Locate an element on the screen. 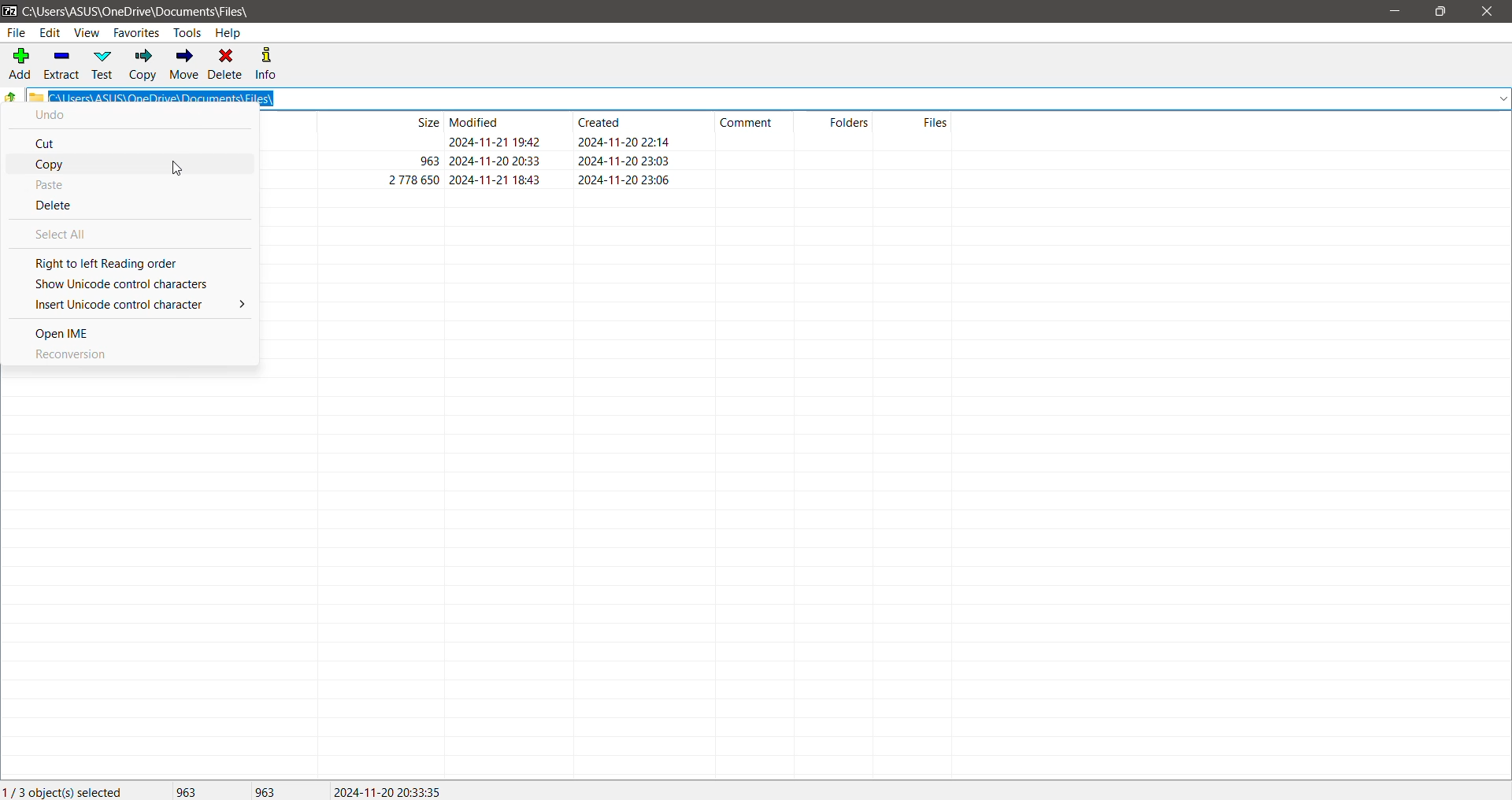 The width and height of the screenshot is (1512, 800). File is located at coordinates (17, 34).